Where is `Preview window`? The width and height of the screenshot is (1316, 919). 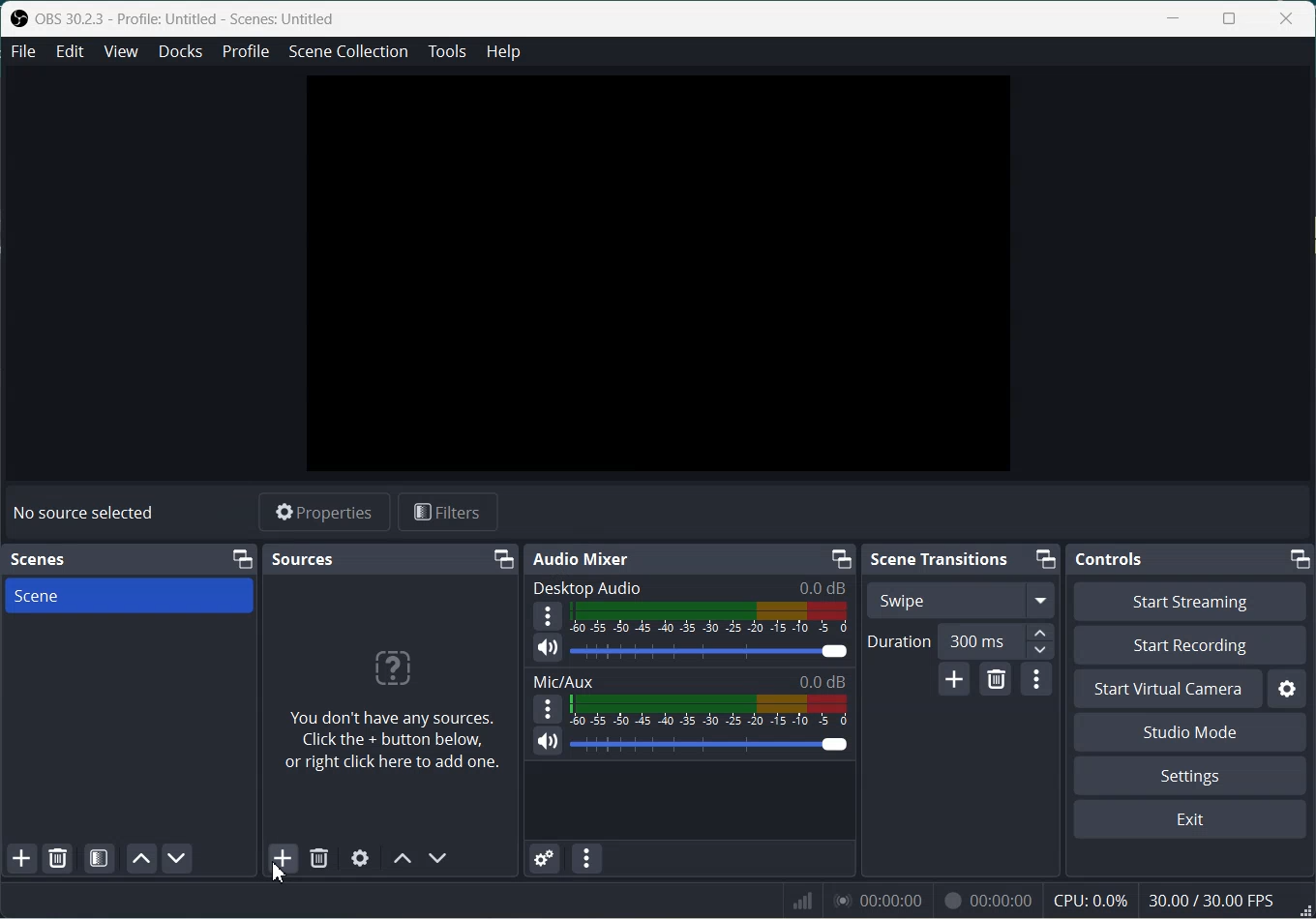 Preview window is located at coordinates (658, 272).